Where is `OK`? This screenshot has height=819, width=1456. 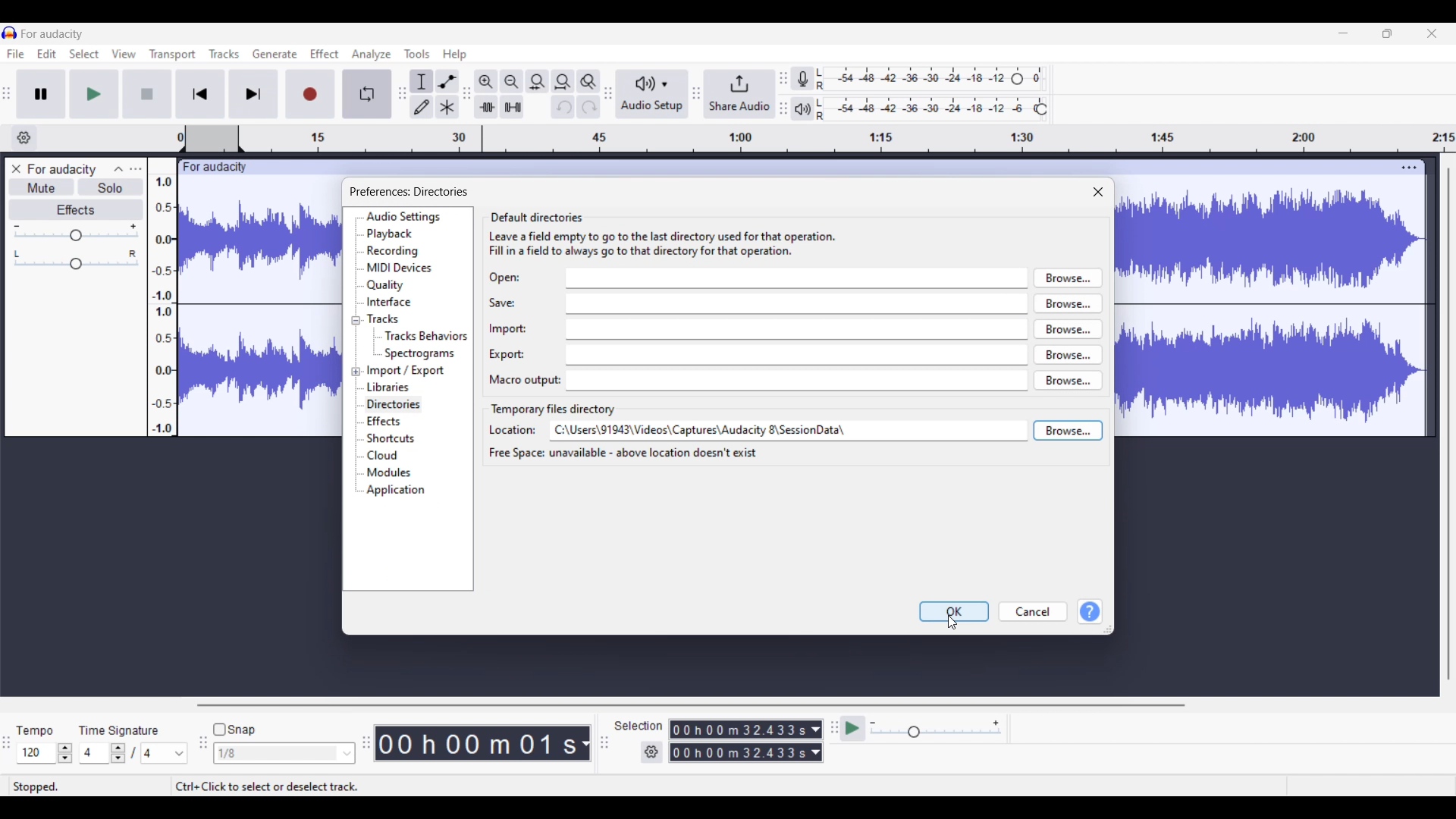 OK is located at coordinates (955, 611).